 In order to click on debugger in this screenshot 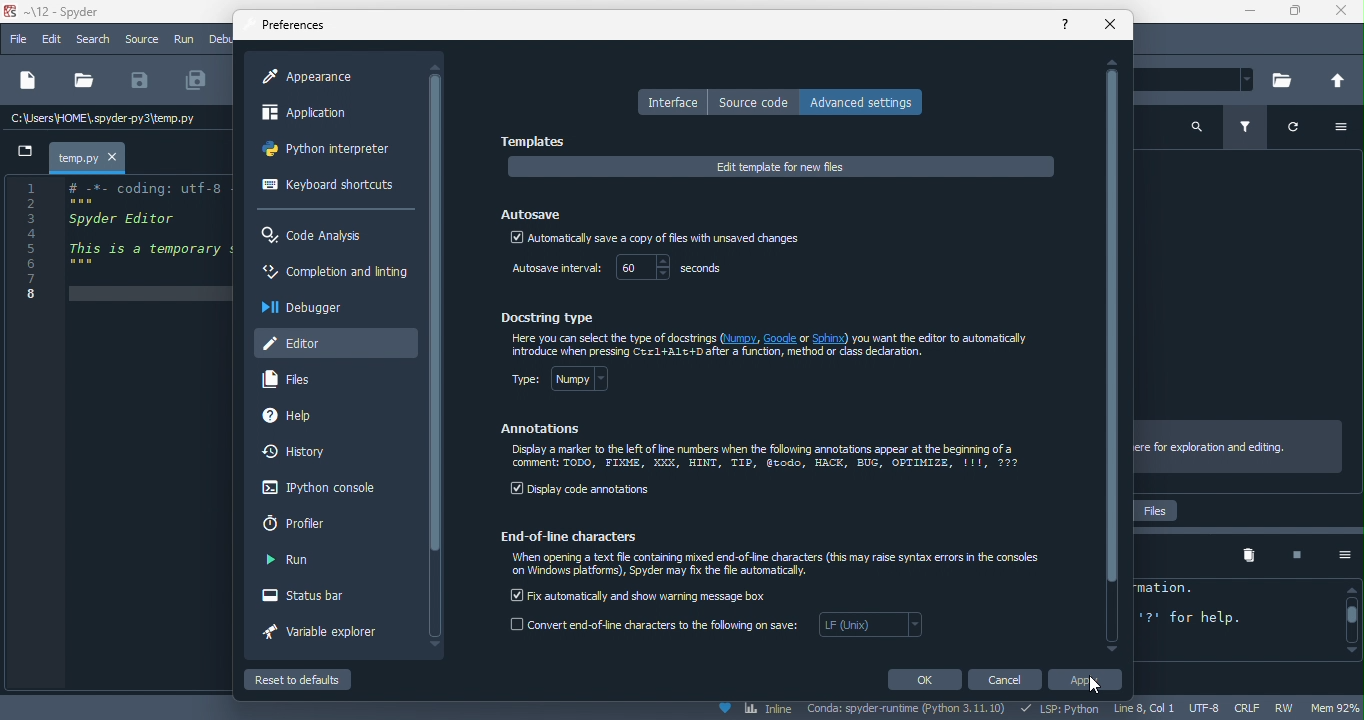, I will do `click(309, 307)`.